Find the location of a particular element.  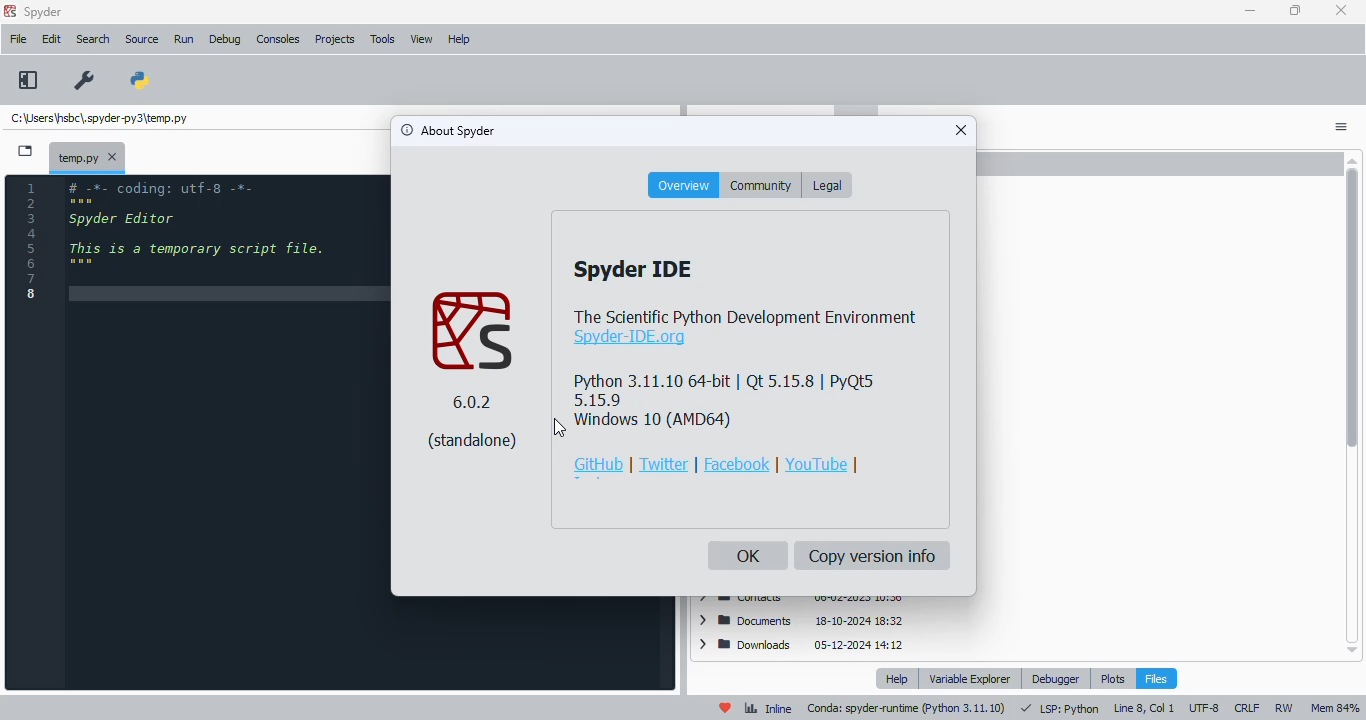

inline is located at coordinates (768, 708).